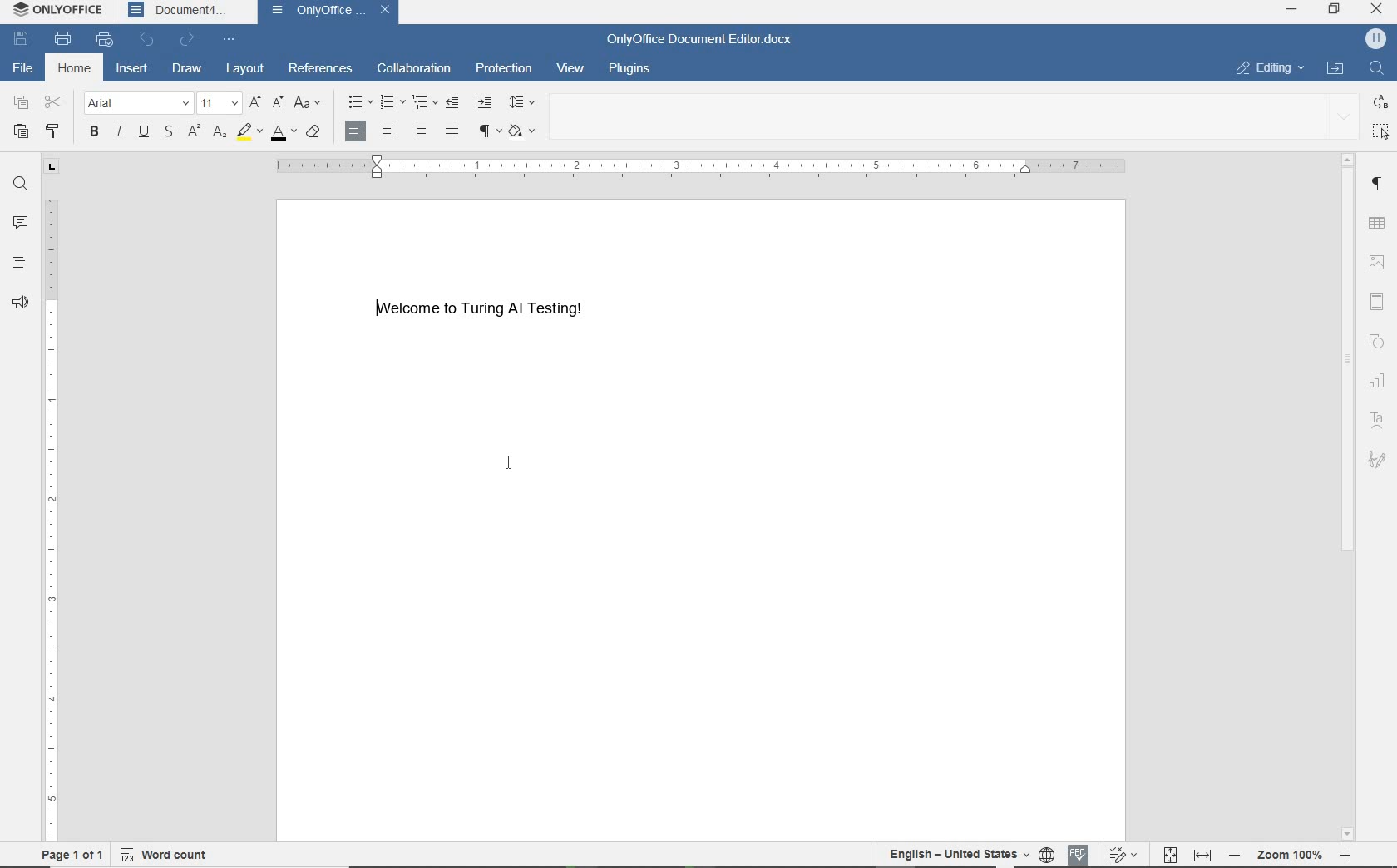  What do you see at coordinates (189, 42) in the screenshot?
I see `redo` at bounding box center [189, 42].